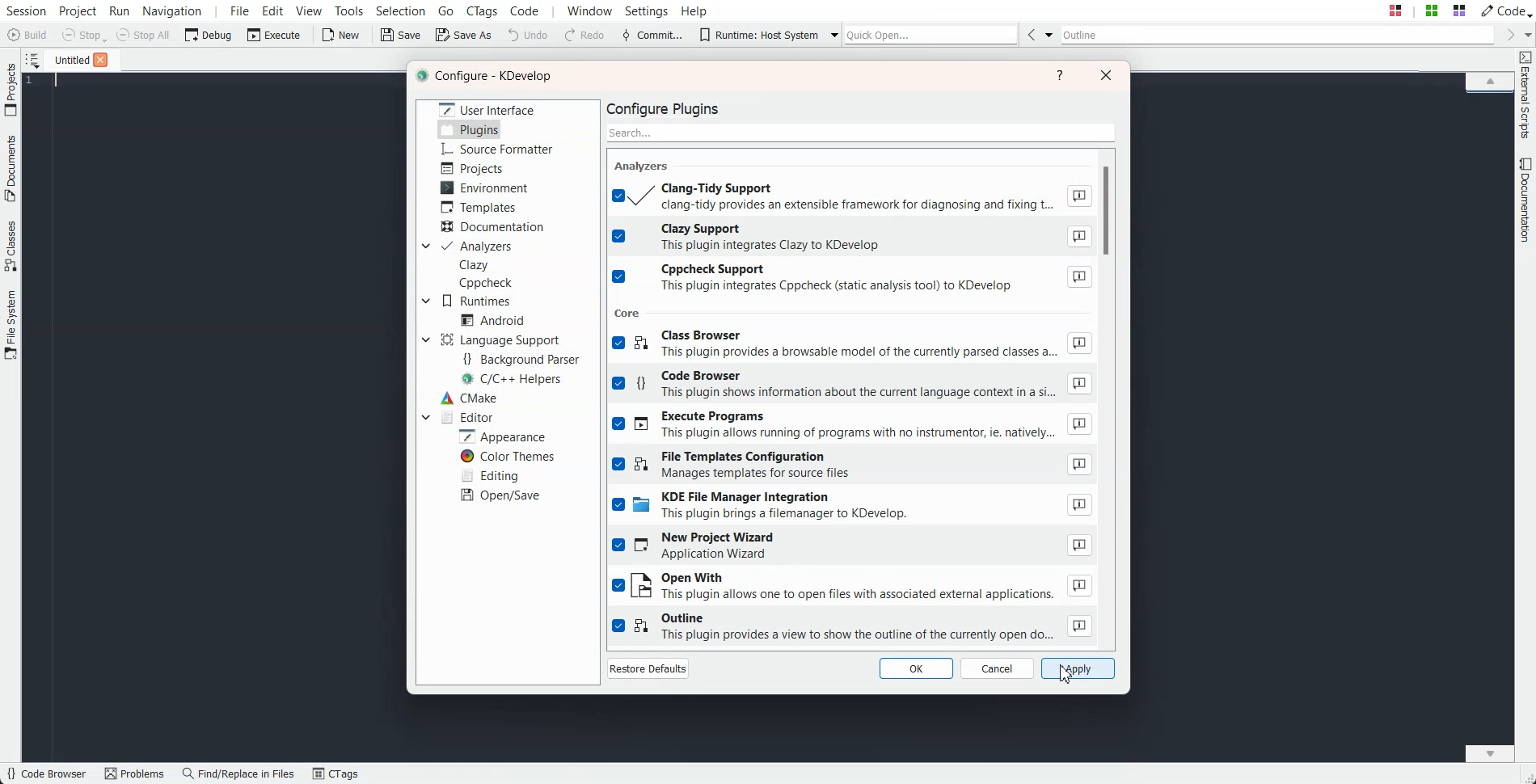  Describe the element at coordinates (514, 379) in the screenshot. I see `C/C++ Helpers` at that location.